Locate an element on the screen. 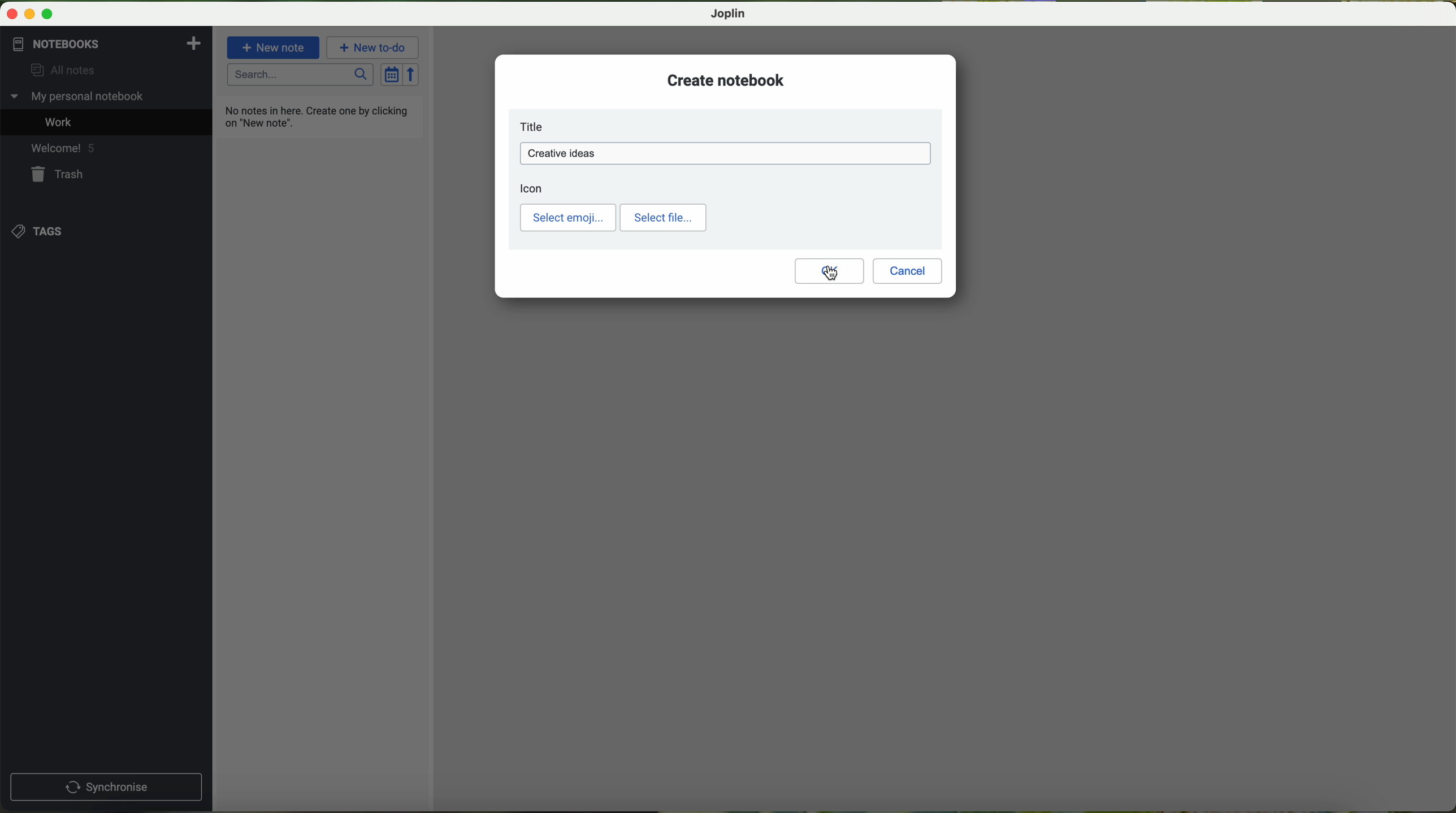 Image resolution: width=1456 pixels, height=813 pixels. no notes in here. create one by clicking new note is located at coordinates (319, 116).